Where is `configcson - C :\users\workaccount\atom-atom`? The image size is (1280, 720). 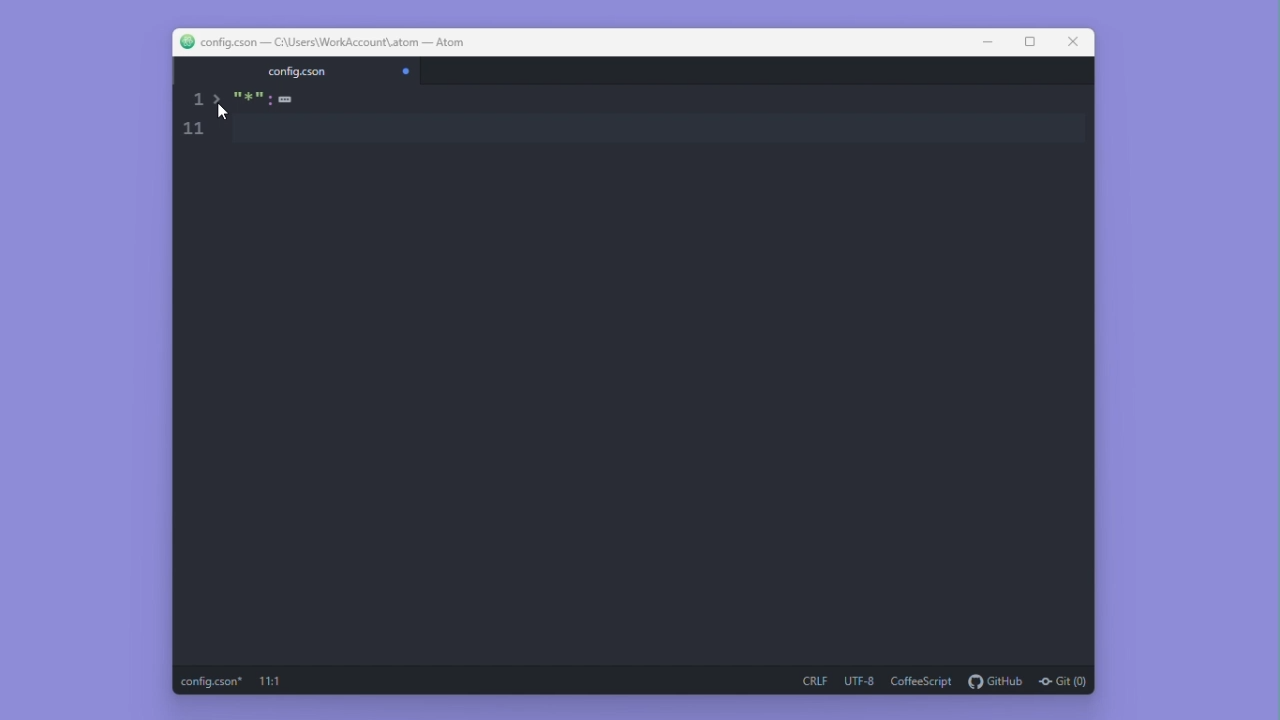 configcson - C :\users\workaccount\atom-atom is located at coordinates (331, 42).